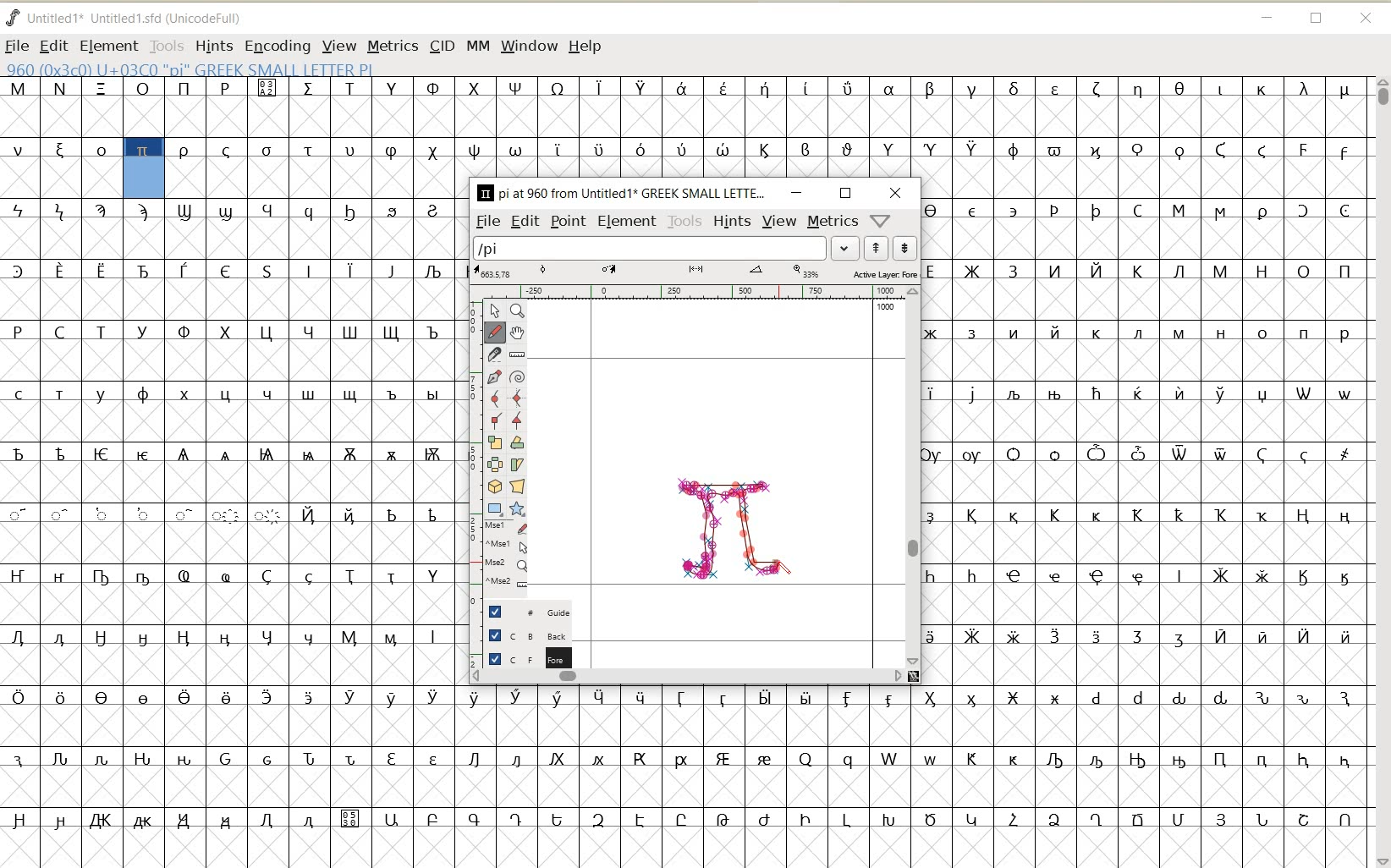  Describe the element at coordinates (212, 47) in the screenshot. I see `HINTS` at that location.